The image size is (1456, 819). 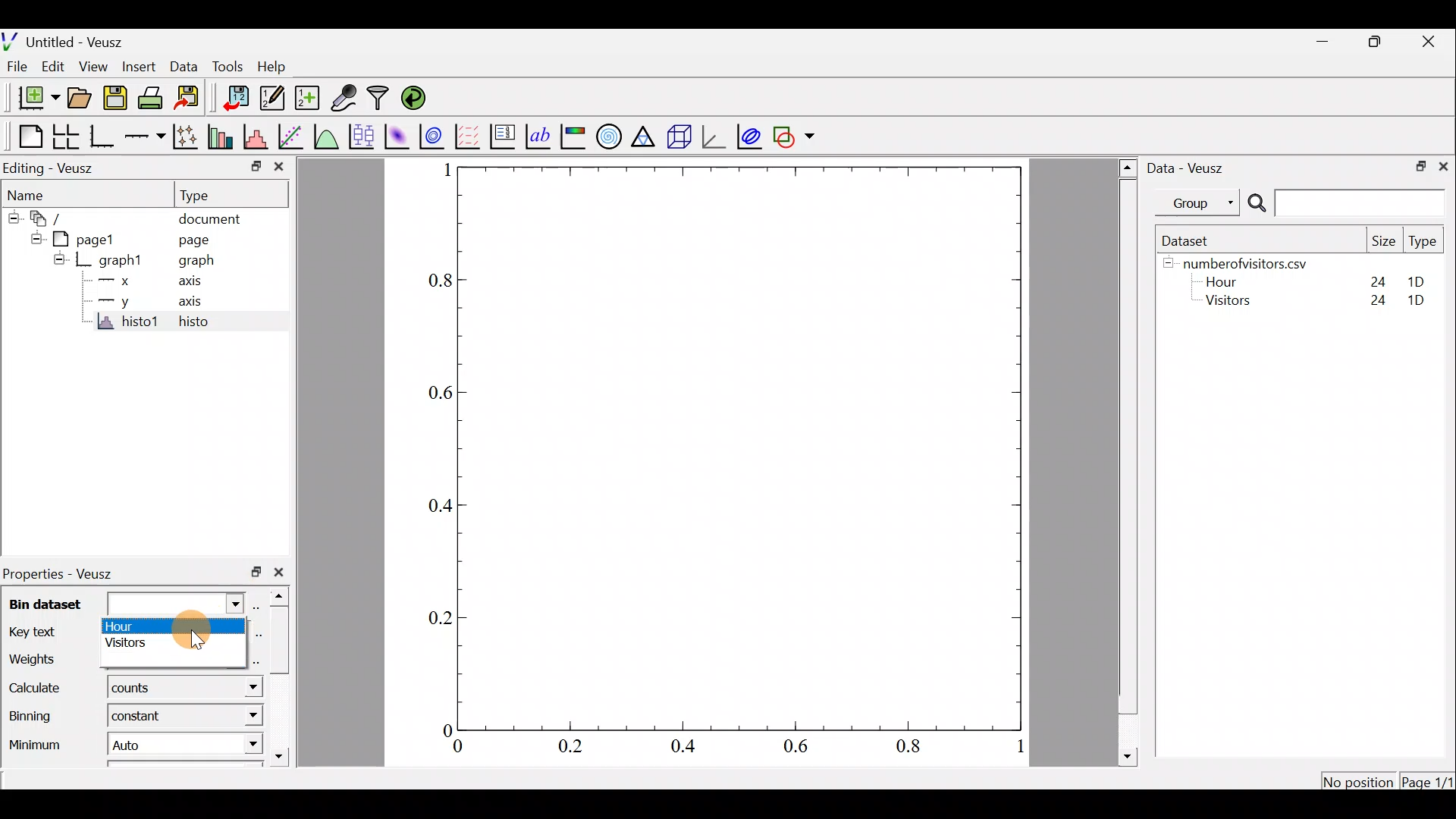 I want to click on 1D, so click(x=1410, y=278).